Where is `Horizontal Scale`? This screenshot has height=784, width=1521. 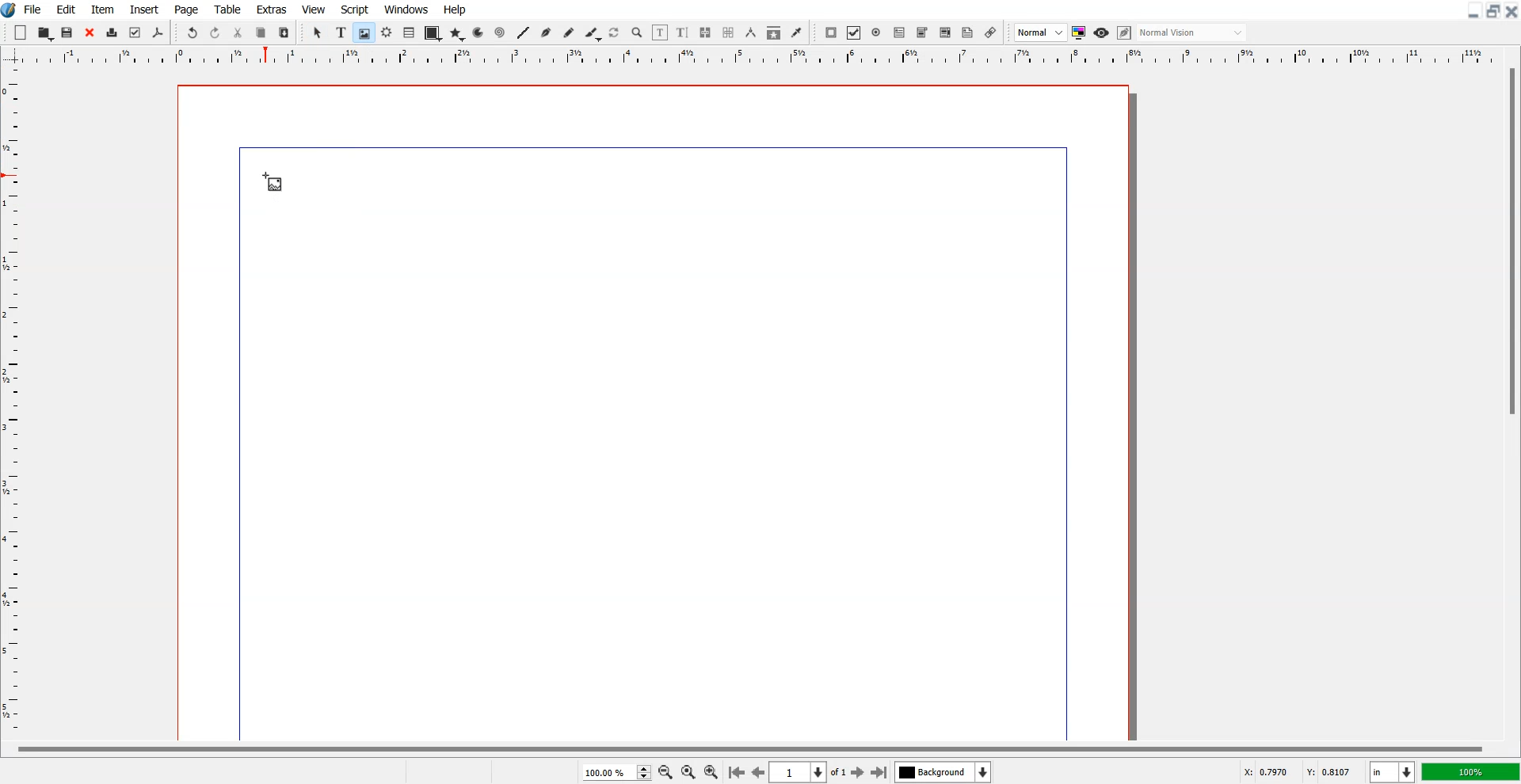 Horizontal Scale is located at coordinates (15, 403).